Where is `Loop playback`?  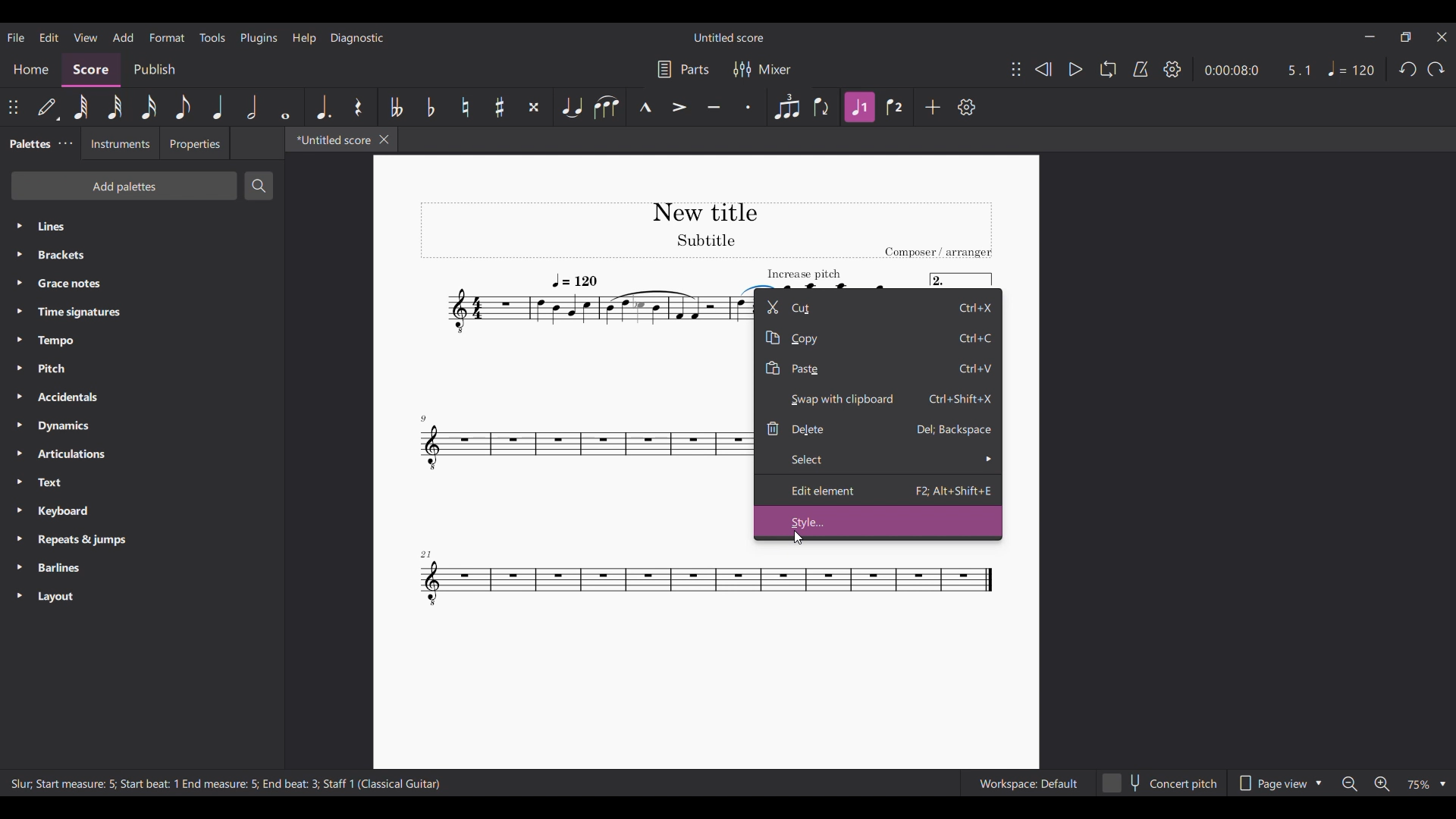
Loop playback is located at coordinates (1108, 69).